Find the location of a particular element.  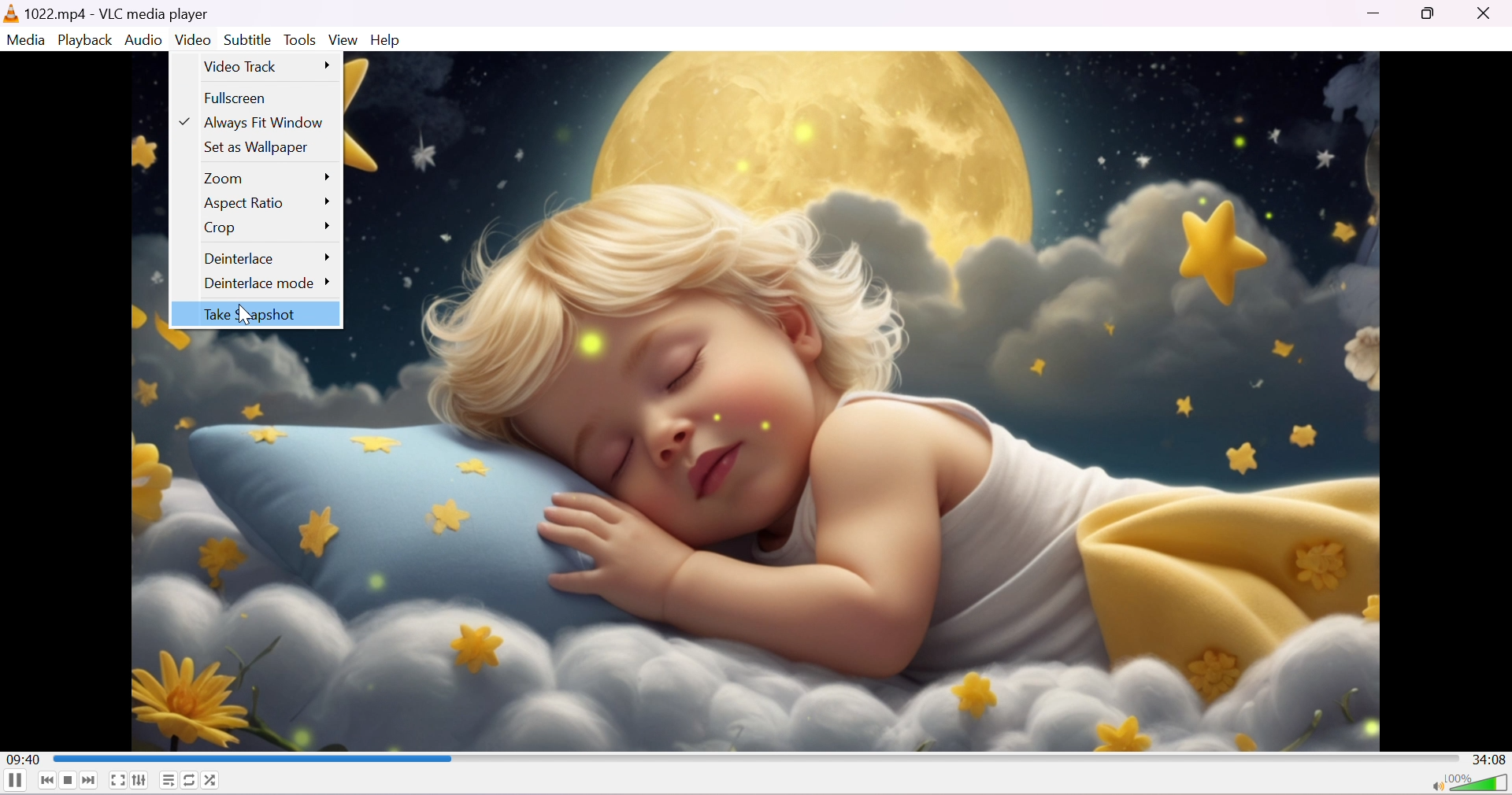

Toggle the video in fullscreen is located at coordinates (117, 782).